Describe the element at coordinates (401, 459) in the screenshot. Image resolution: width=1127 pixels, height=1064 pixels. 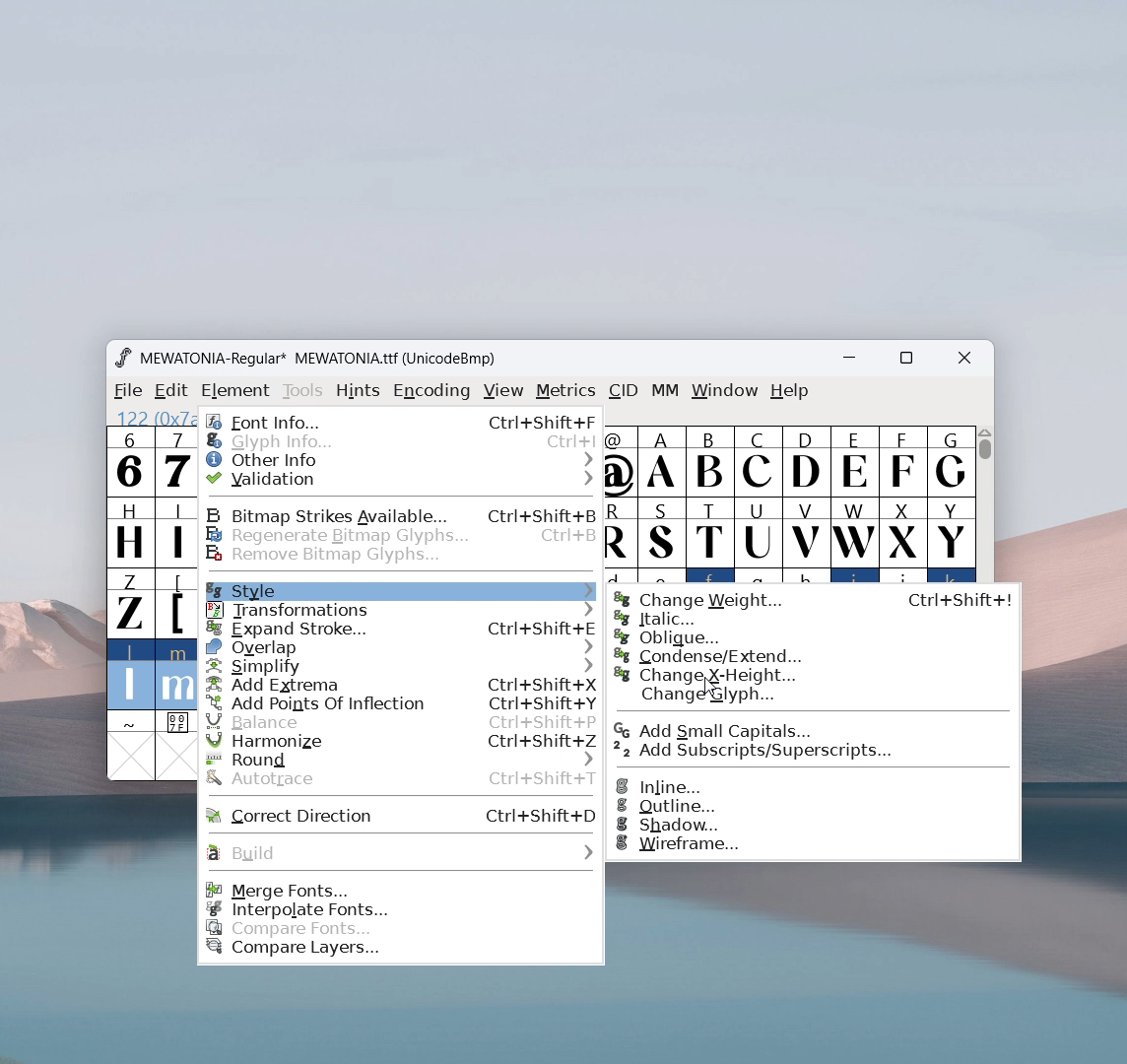
I see `other info` at that location.